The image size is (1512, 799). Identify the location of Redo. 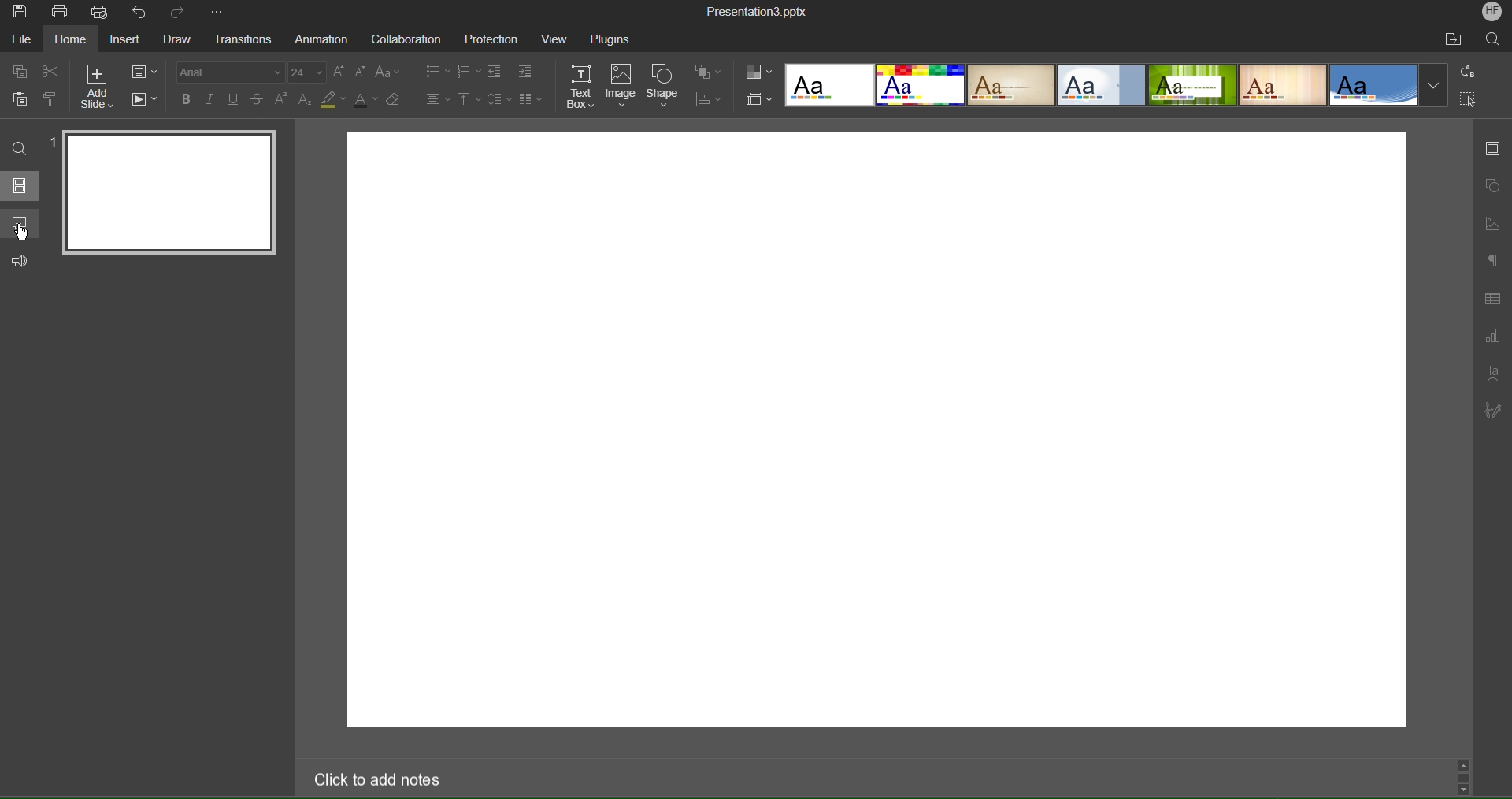
(180, 14).